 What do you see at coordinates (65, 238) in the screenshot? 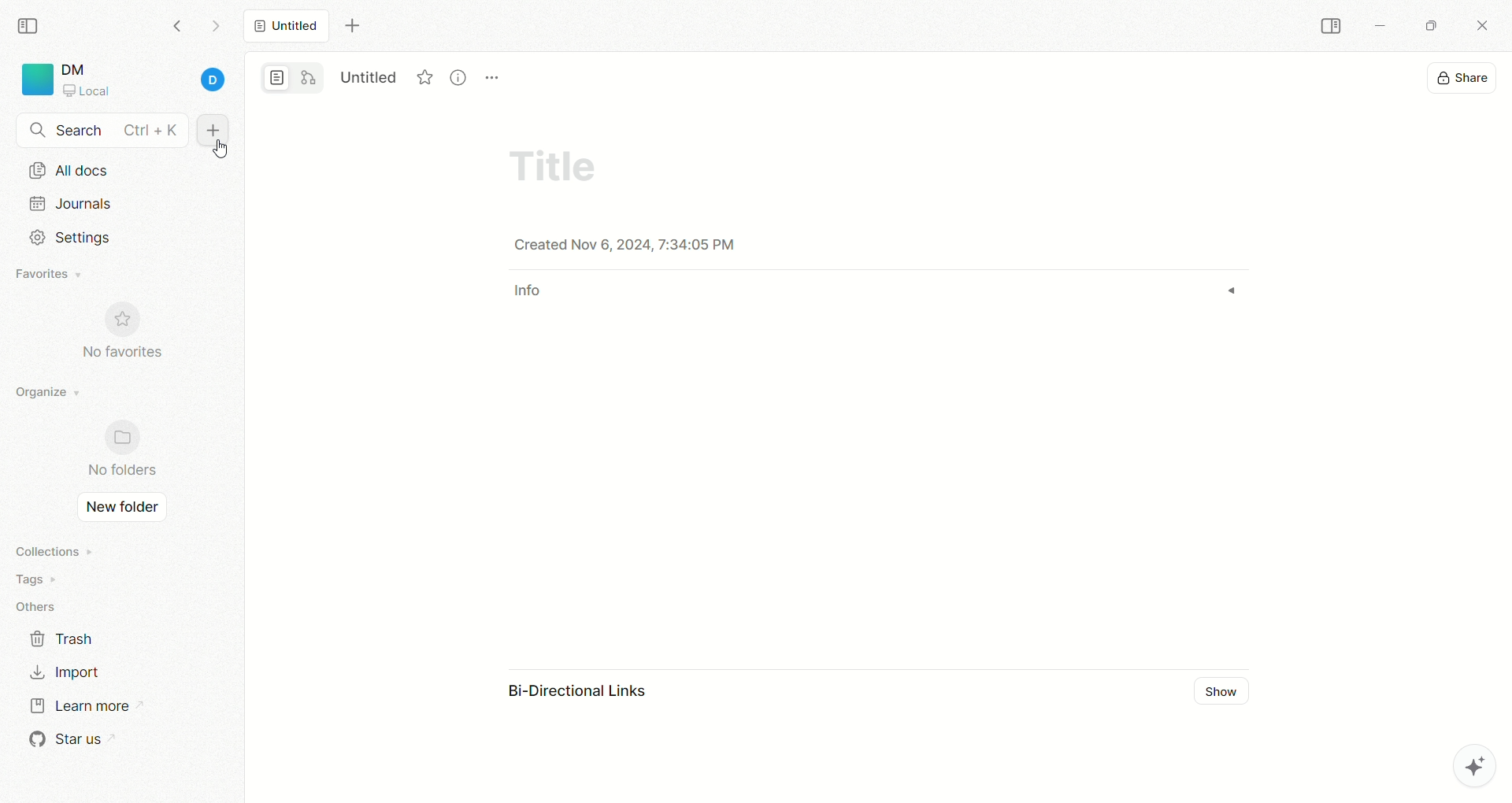
I see `settings` at bounding box center [65, 238].